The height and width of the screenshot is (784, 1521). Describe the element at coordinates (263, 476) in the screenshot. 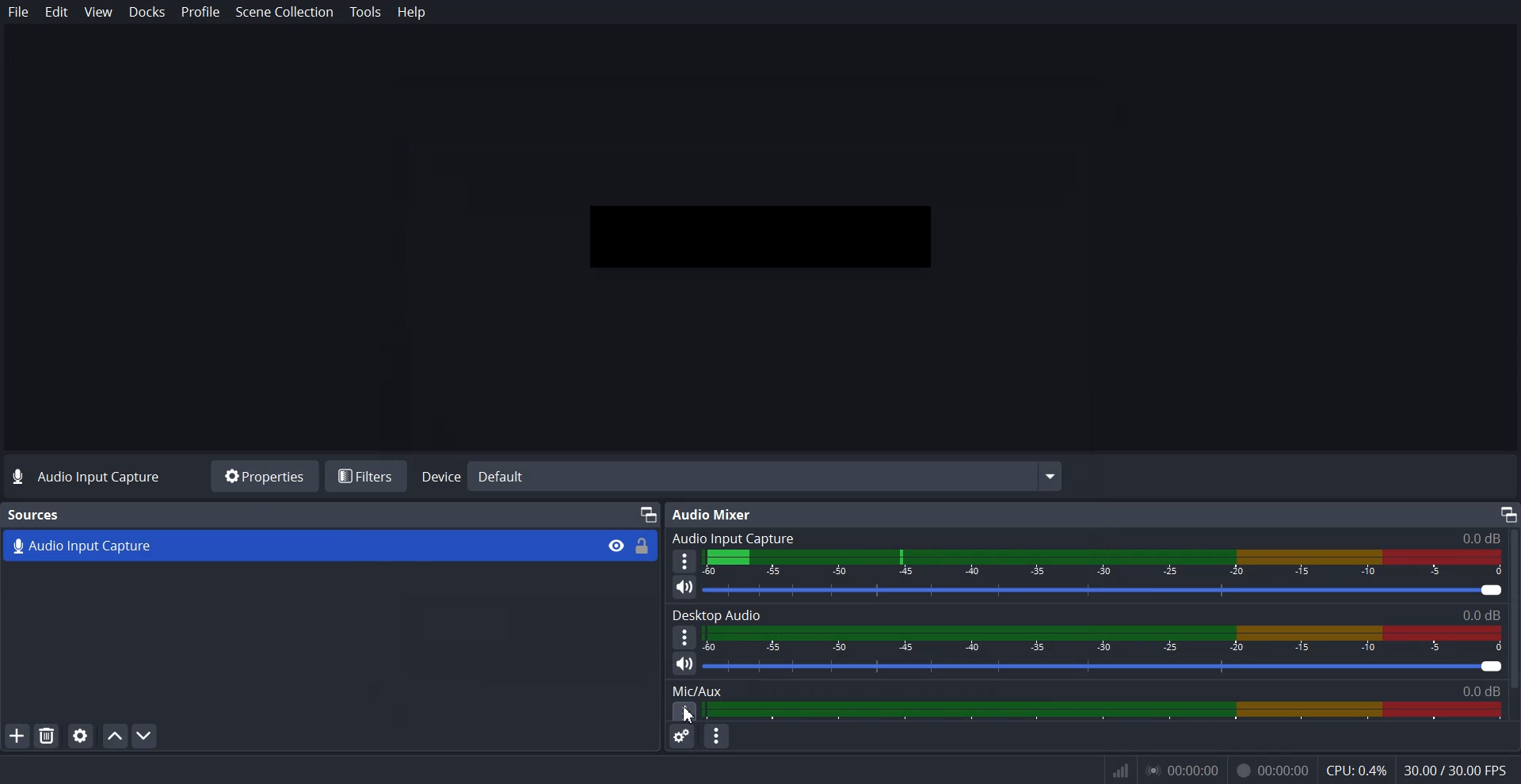

I see `Properties` at that location.